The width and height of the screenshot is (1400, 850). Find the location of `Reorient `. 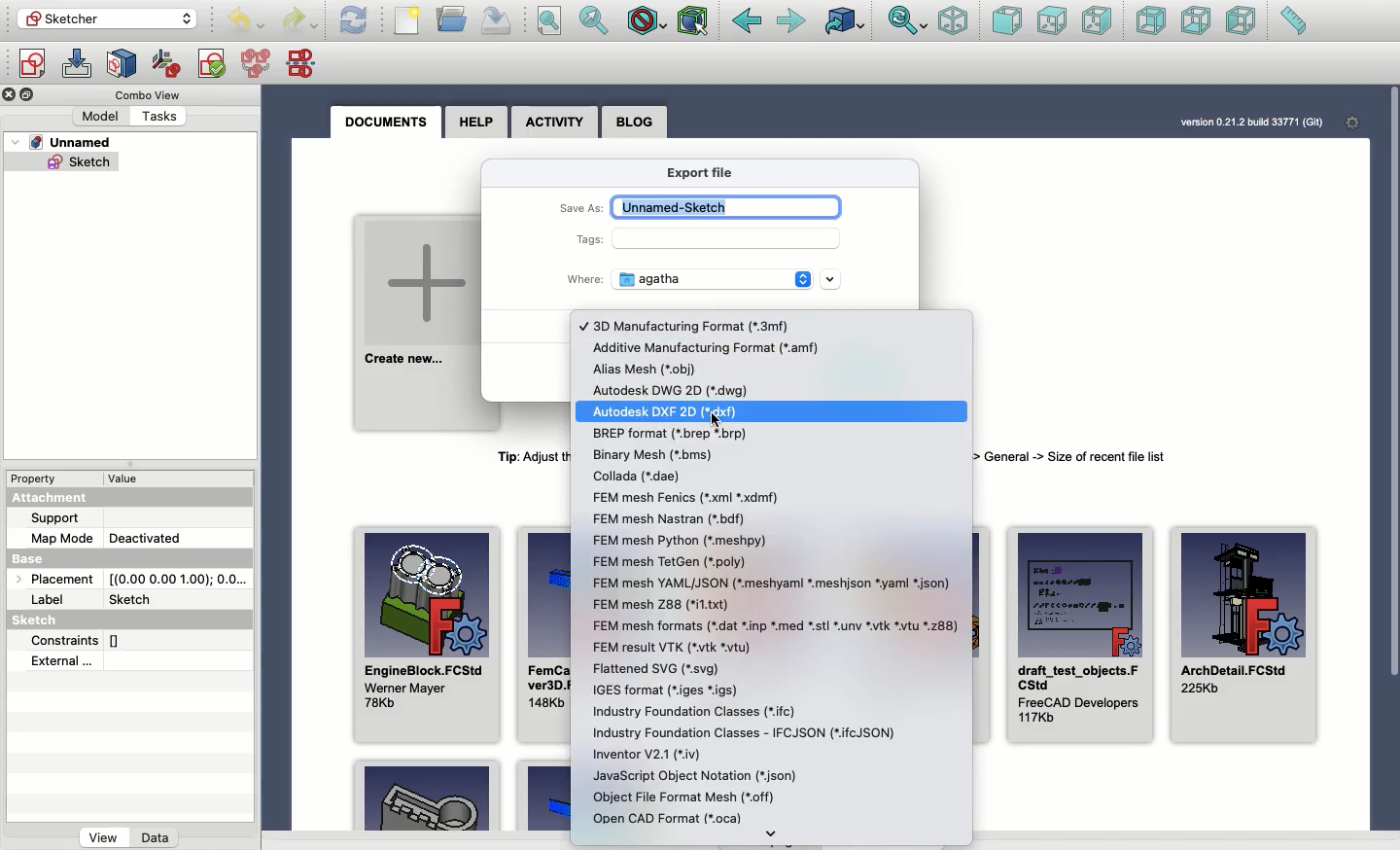

Reorient  is located at coordinates (166, 62).